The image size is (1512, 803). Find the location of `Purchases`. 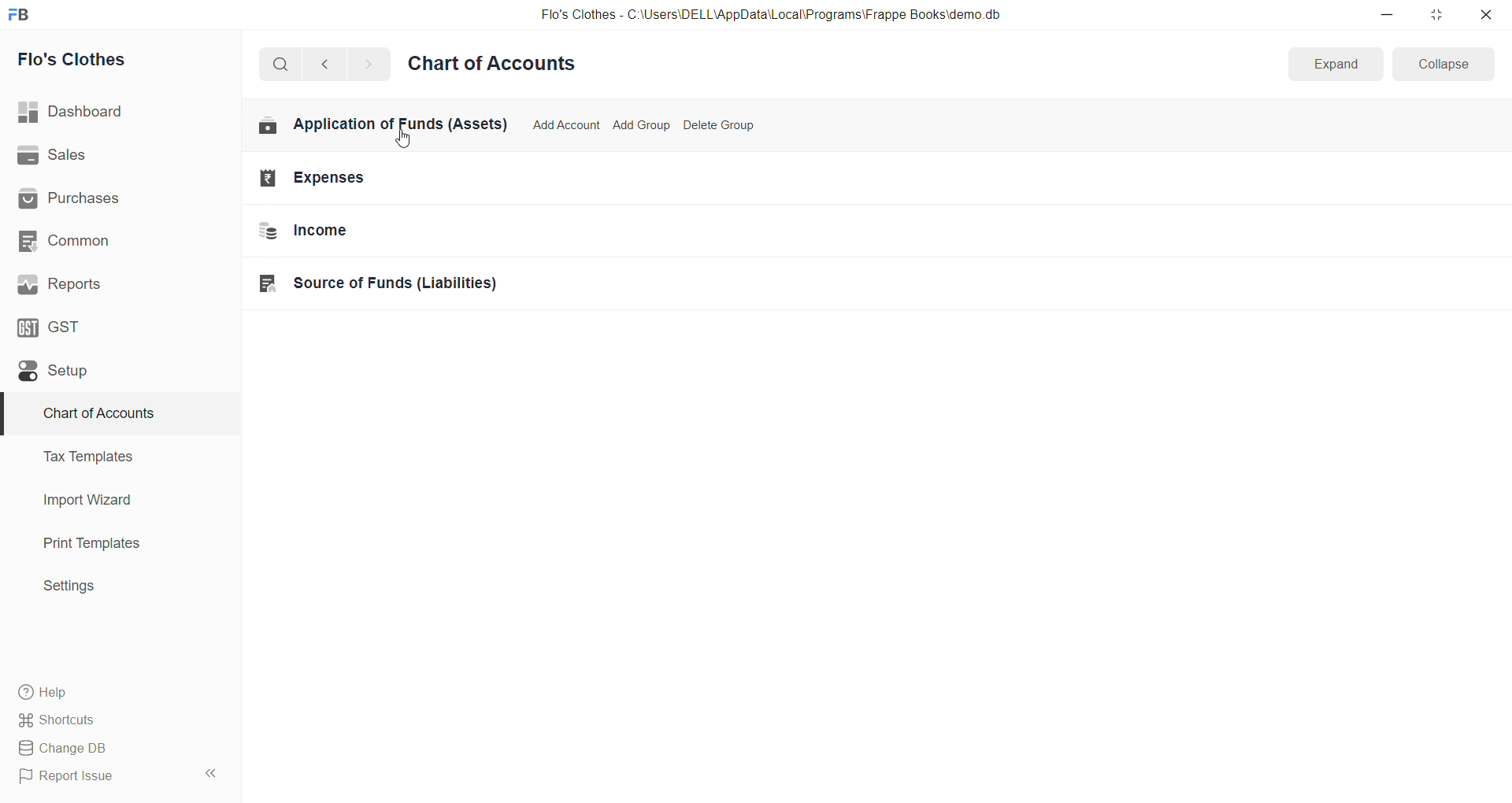

Purchases is located at coordinates (113, 199).